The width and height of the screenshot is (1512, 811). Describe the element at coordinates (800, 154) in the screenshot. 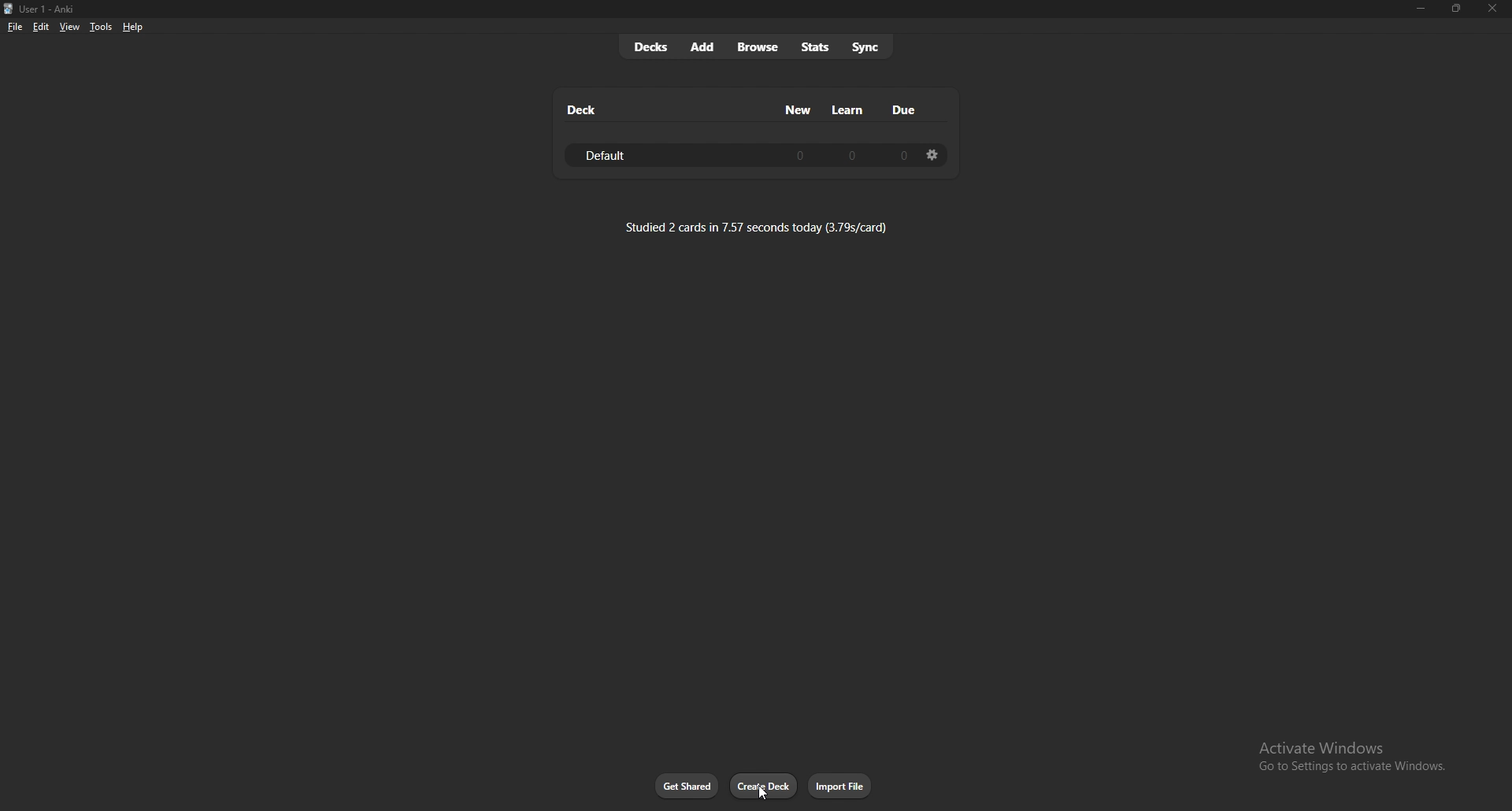

I see `0` at that location.